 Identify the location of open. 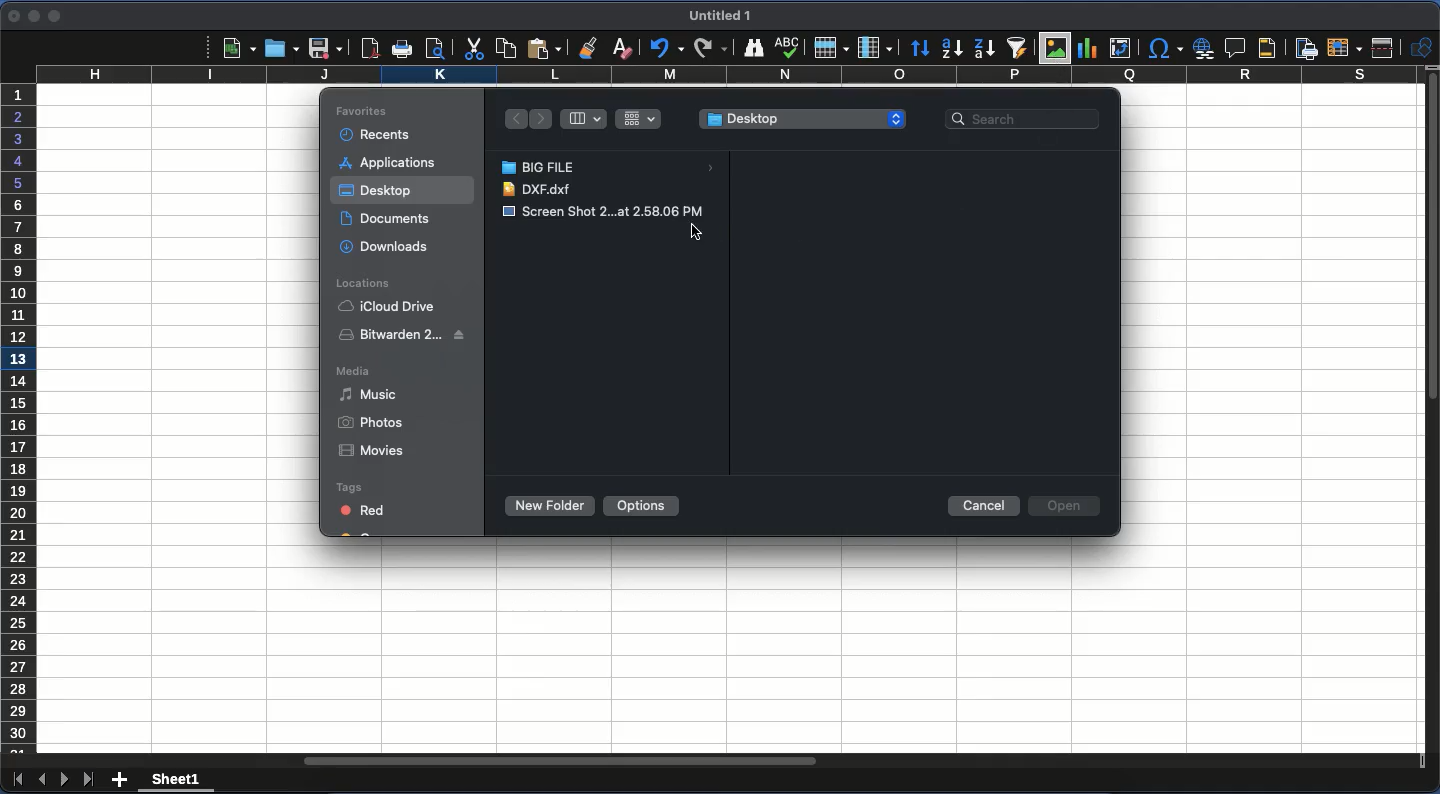
(1067, 505).